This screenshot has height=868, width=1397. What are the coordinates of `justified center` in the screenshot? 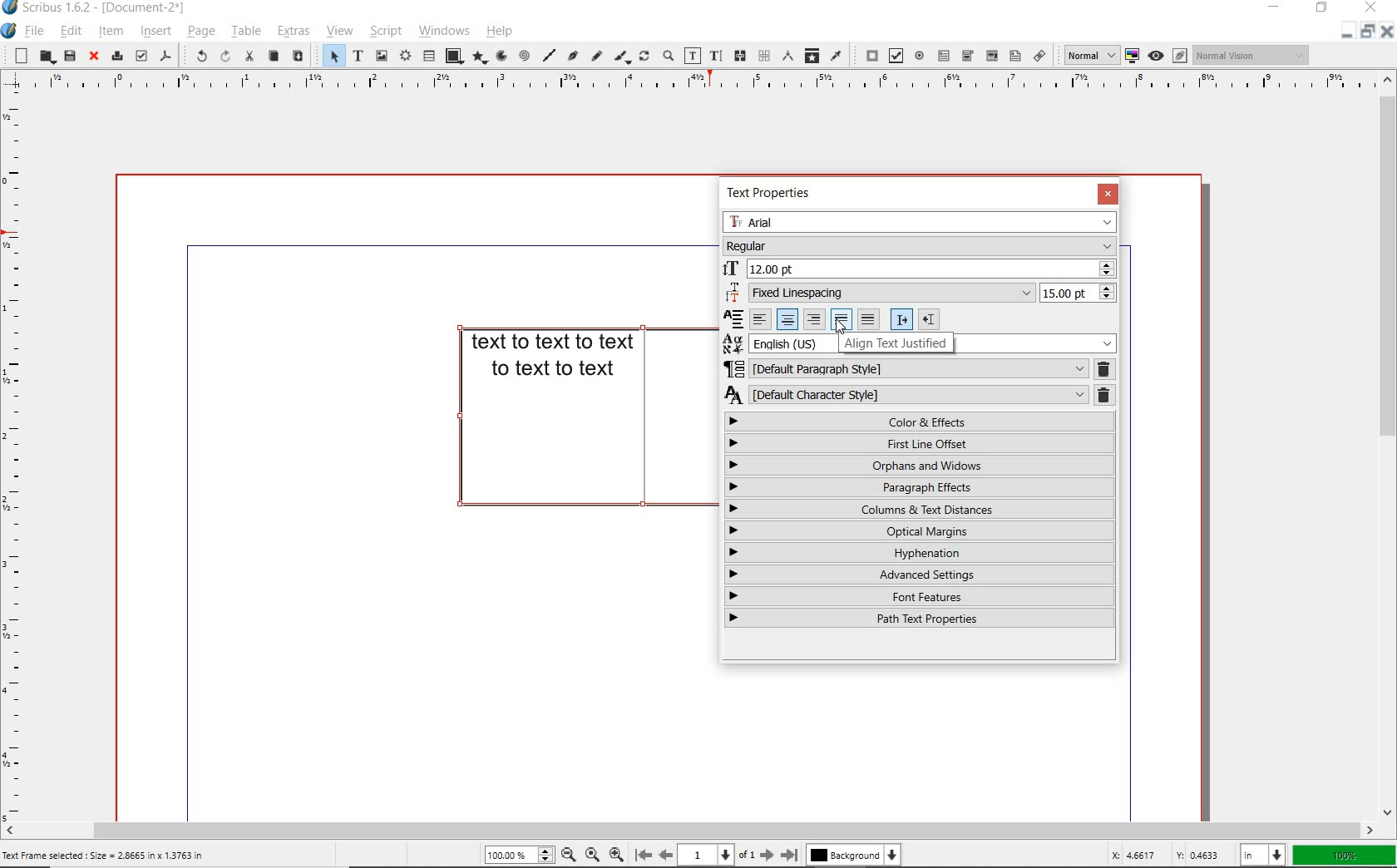 It's located at (869, 319).